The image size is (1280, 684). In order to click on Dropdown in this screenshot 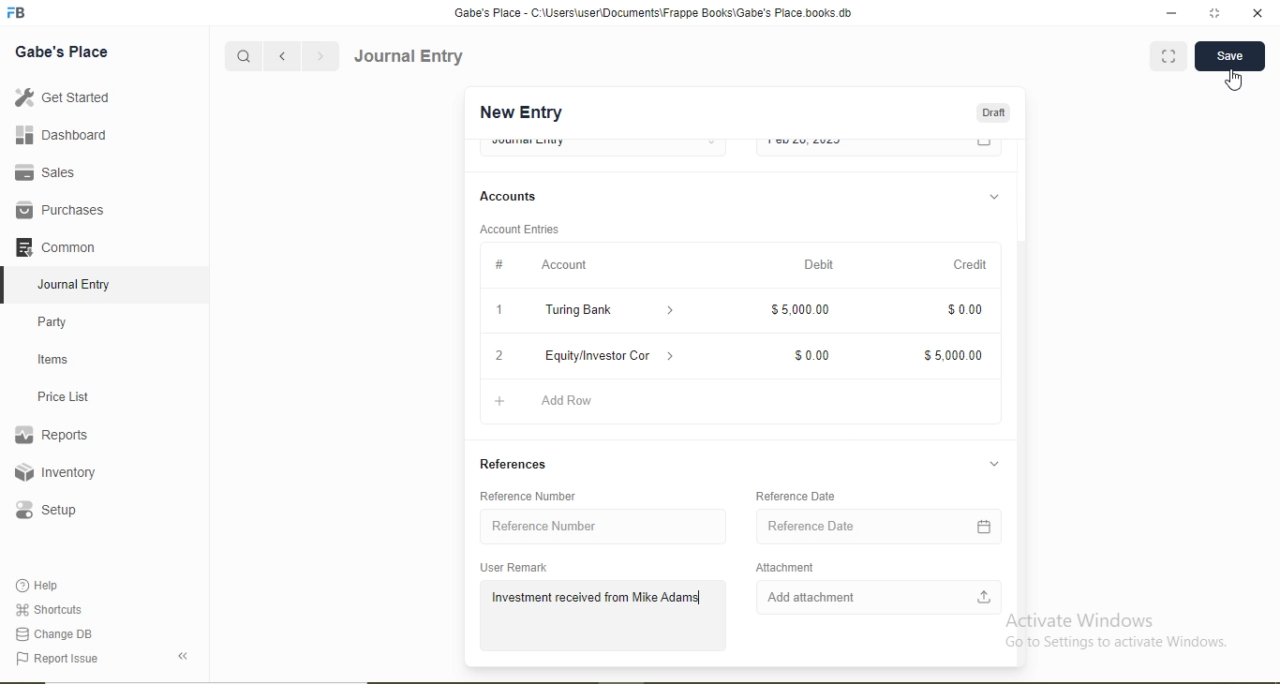, I will do `click(671, 312)`.